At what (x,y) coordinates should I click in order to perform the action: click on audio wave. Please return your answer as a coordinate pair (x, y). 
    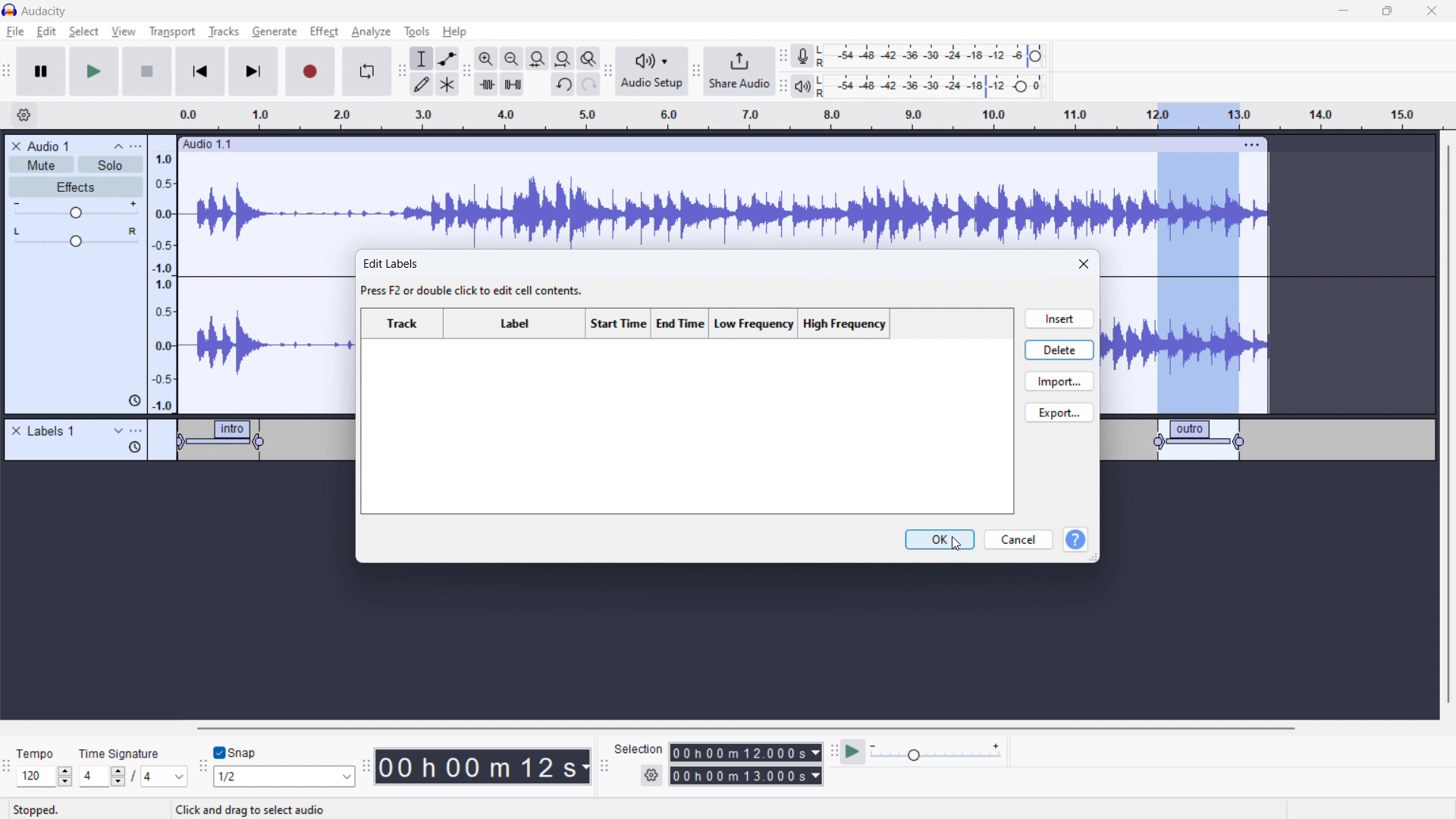
    Looking at the image, I should click on (1185, 344).